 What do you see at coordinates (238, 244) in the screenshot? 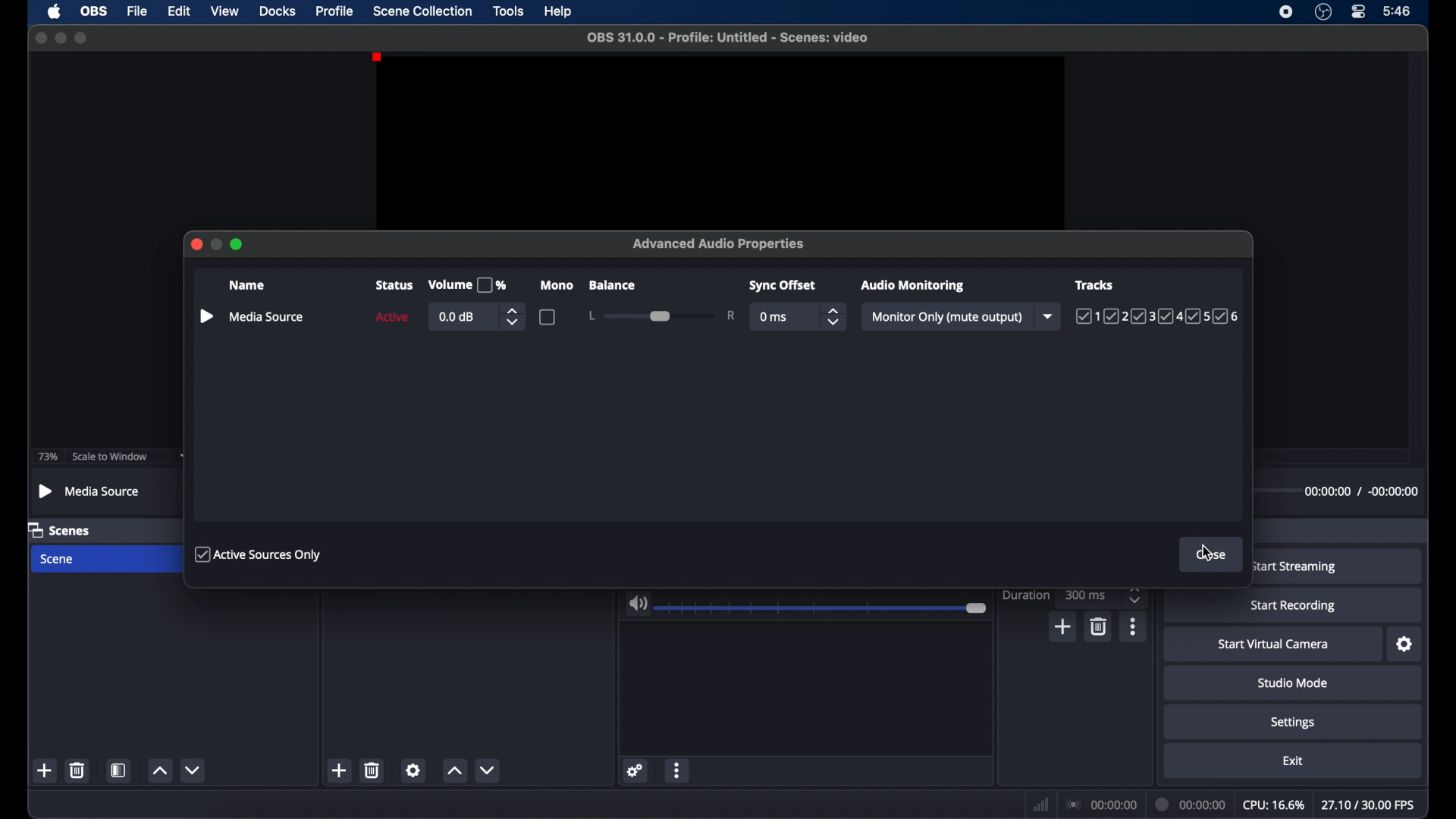
I see `maximize` at bounding box center [238, 244].